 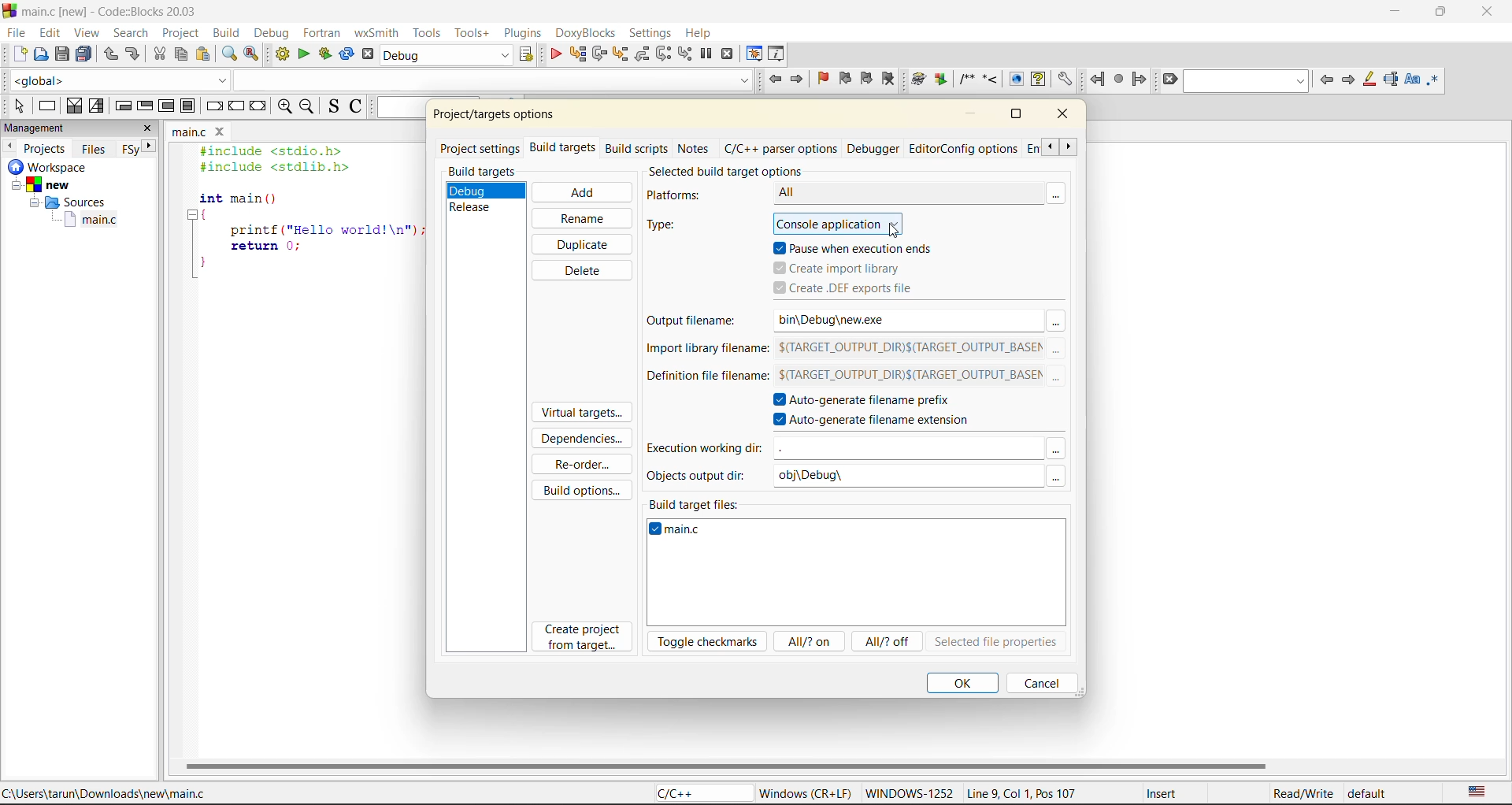 I want to click on previous, so click(x=10, y=146).